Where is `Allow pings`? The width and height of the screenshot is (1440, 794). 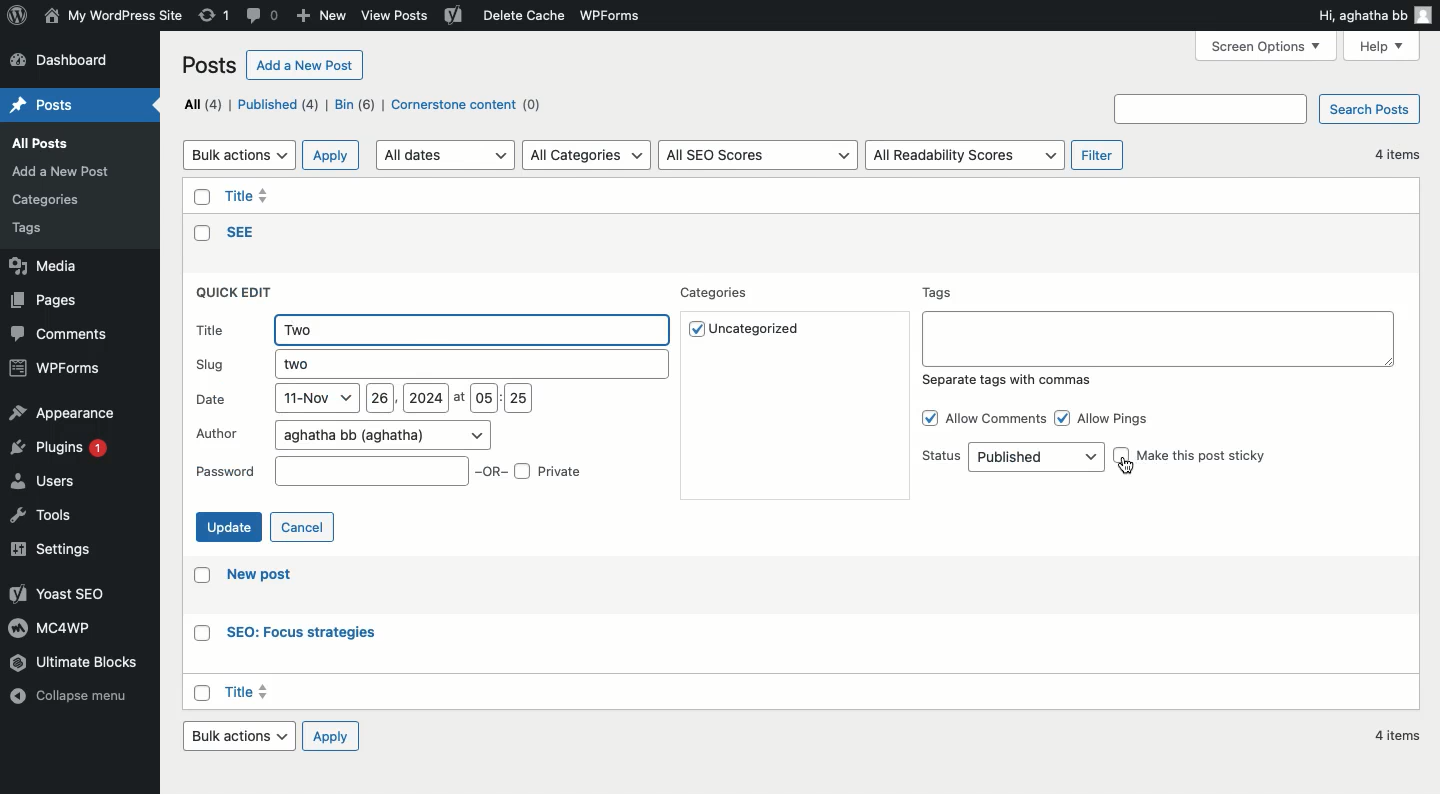 Allow pings is located at coordinates (1110, 416).